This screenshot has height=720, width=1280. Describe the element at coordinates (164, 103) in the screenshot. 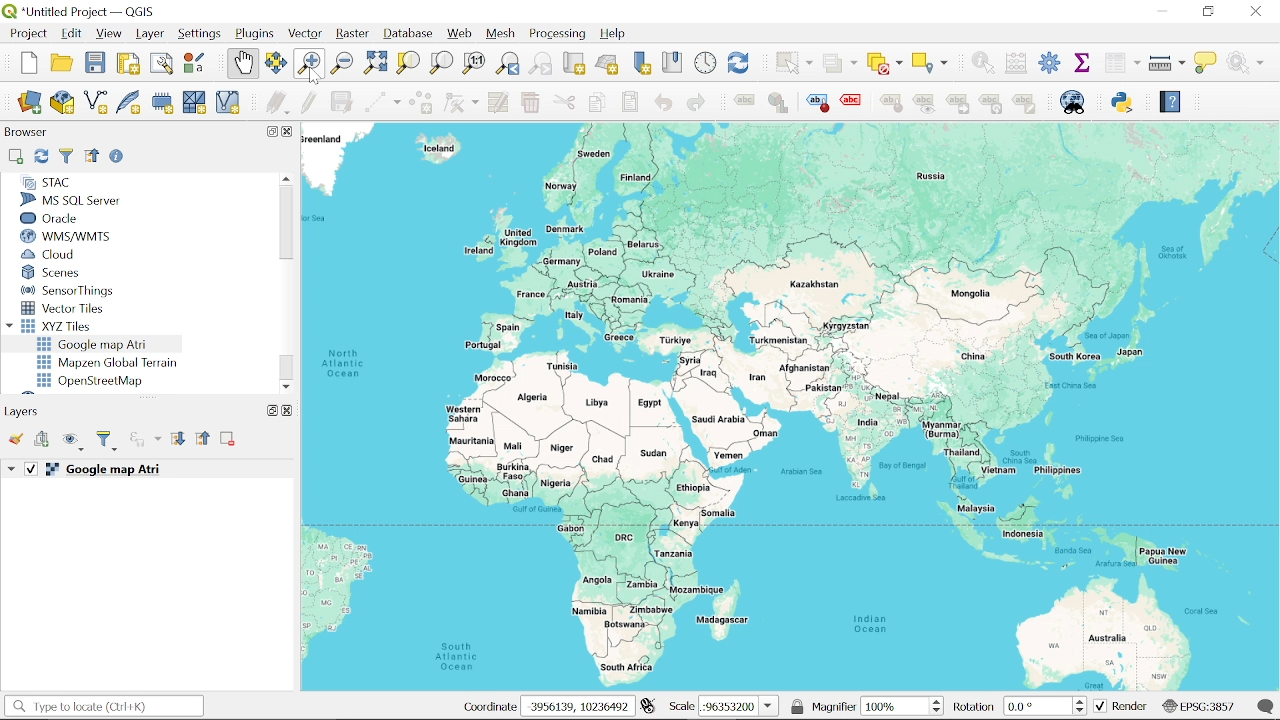

I see `New temporary layer` at that location.